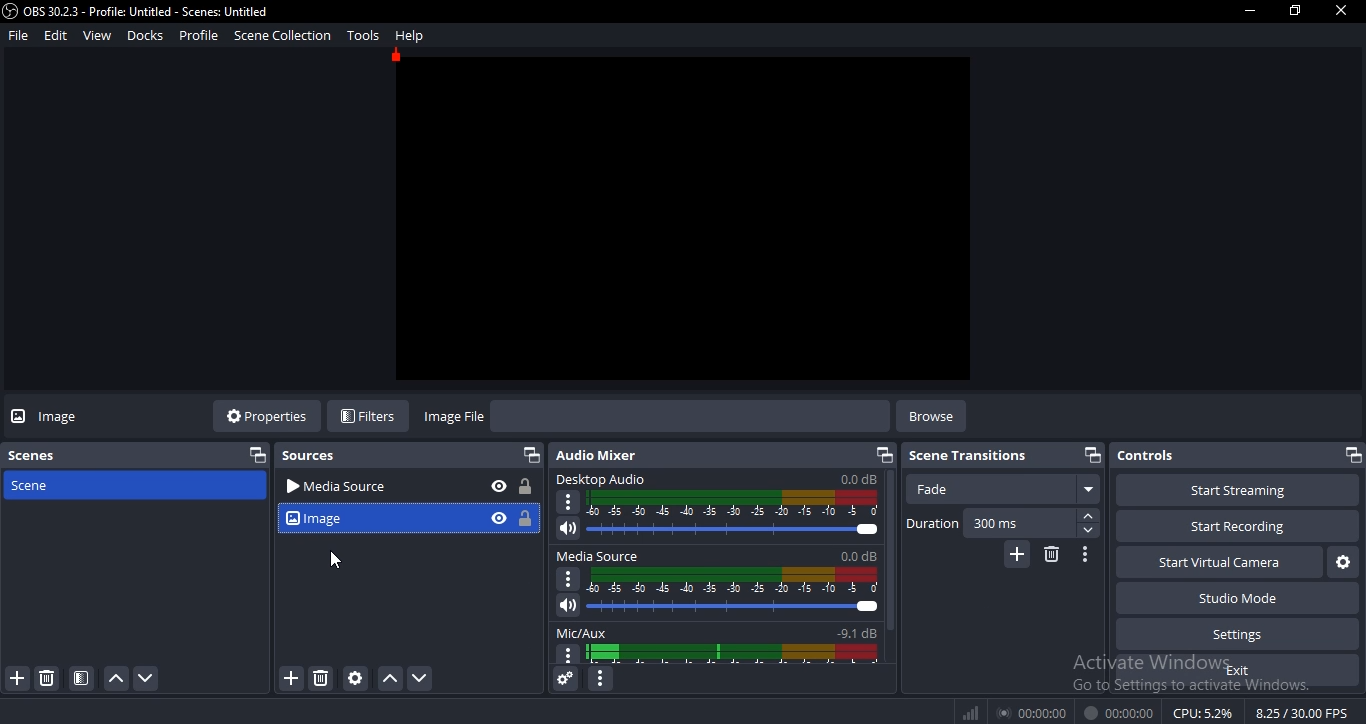 Image resolution: width=1366 pixels, height=724 pixels. I want to click on audio display, so click(734, 503).